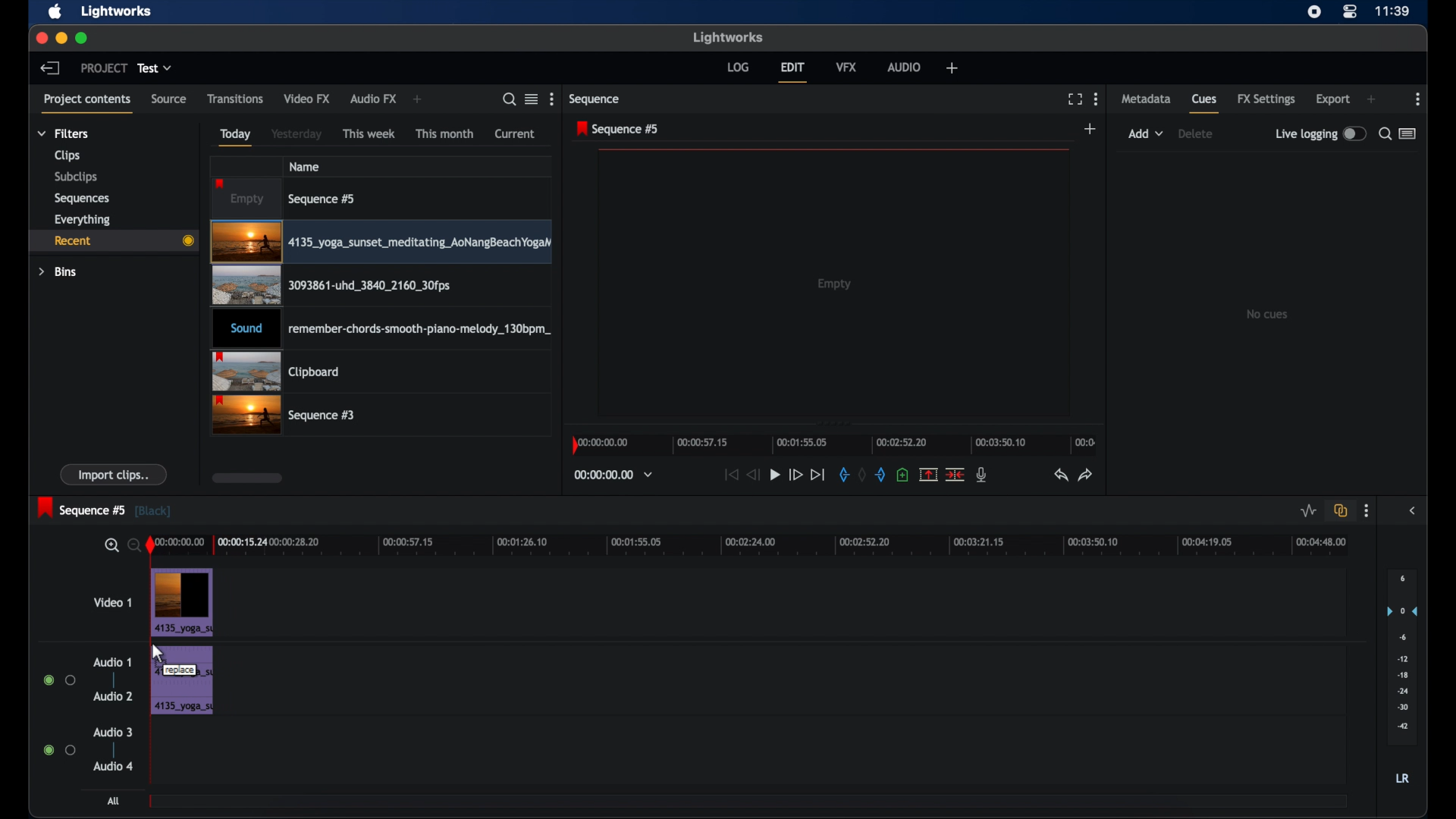 This screenshot has width=1456, height=819. I want to click on full screen, so click(1075, 99).